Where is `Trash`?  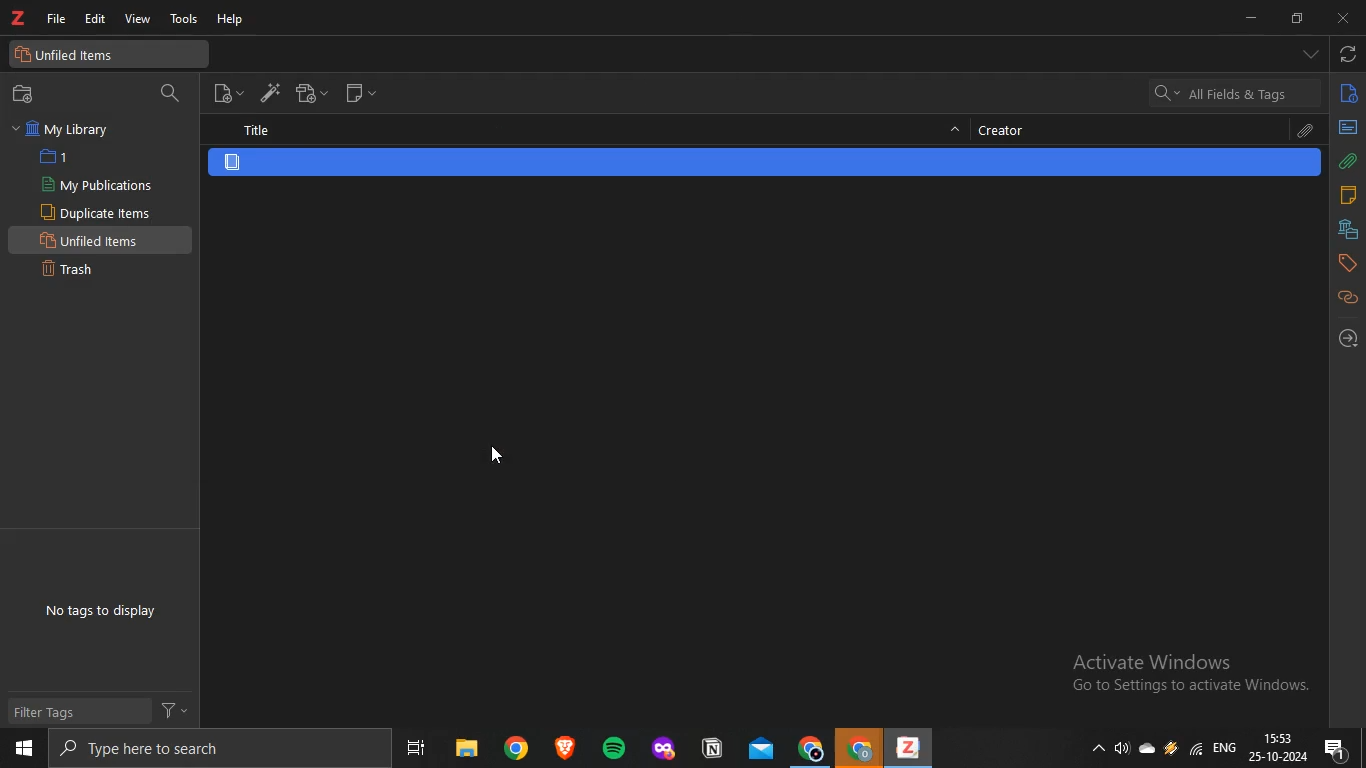
Trash is located at coordinates (76, 267).